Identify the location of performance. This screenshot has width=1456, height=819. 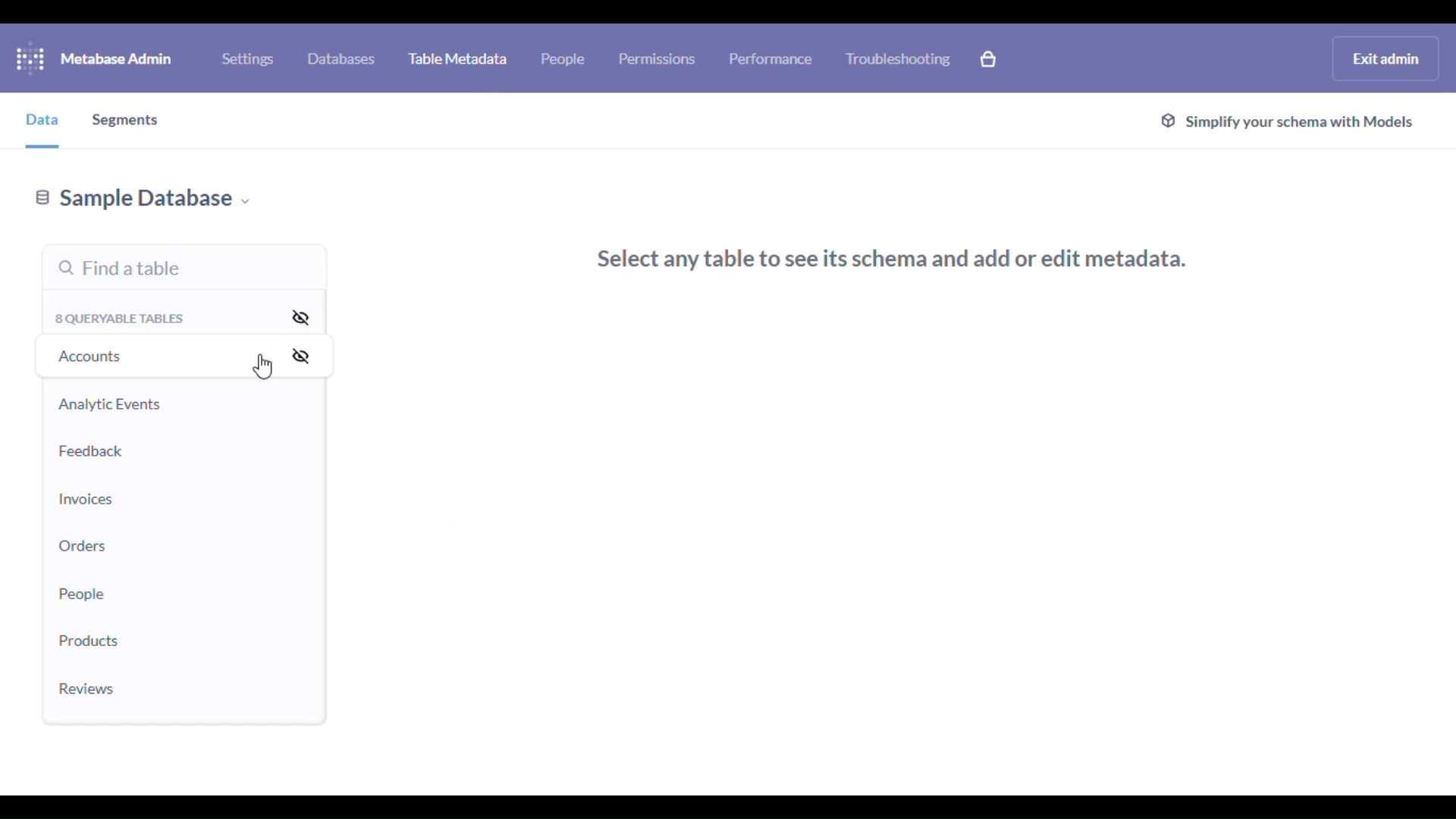
(772, 58).